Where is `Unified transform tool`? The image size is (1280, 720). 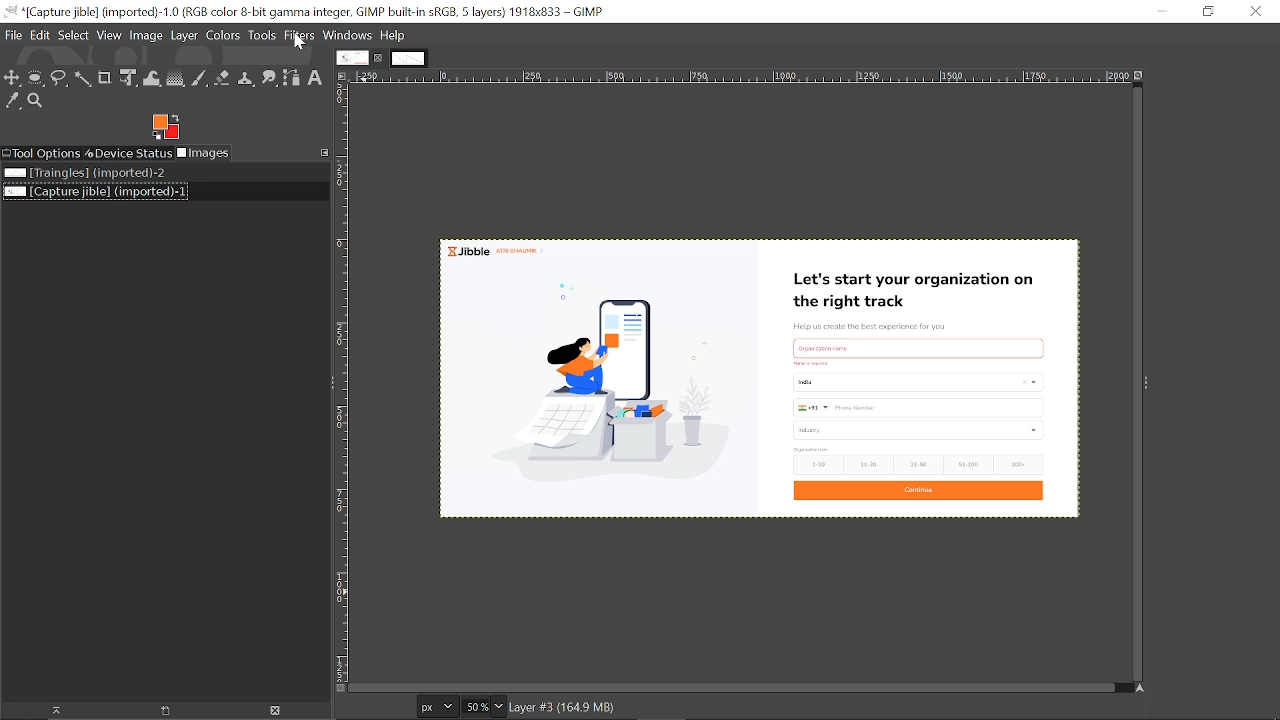 Unified transform tool is located at coordinates (128, 79).